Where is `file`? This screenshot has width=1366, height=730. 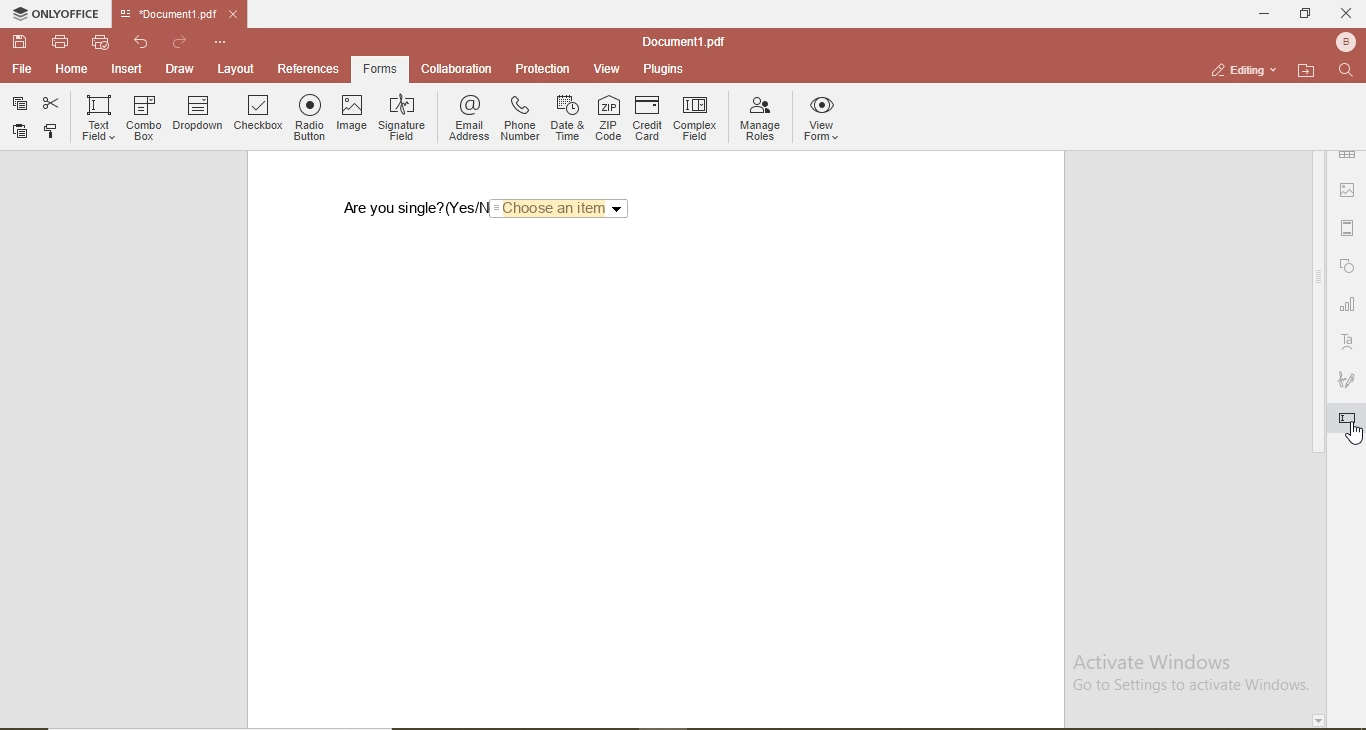 file is located at coordinates (23, 70).